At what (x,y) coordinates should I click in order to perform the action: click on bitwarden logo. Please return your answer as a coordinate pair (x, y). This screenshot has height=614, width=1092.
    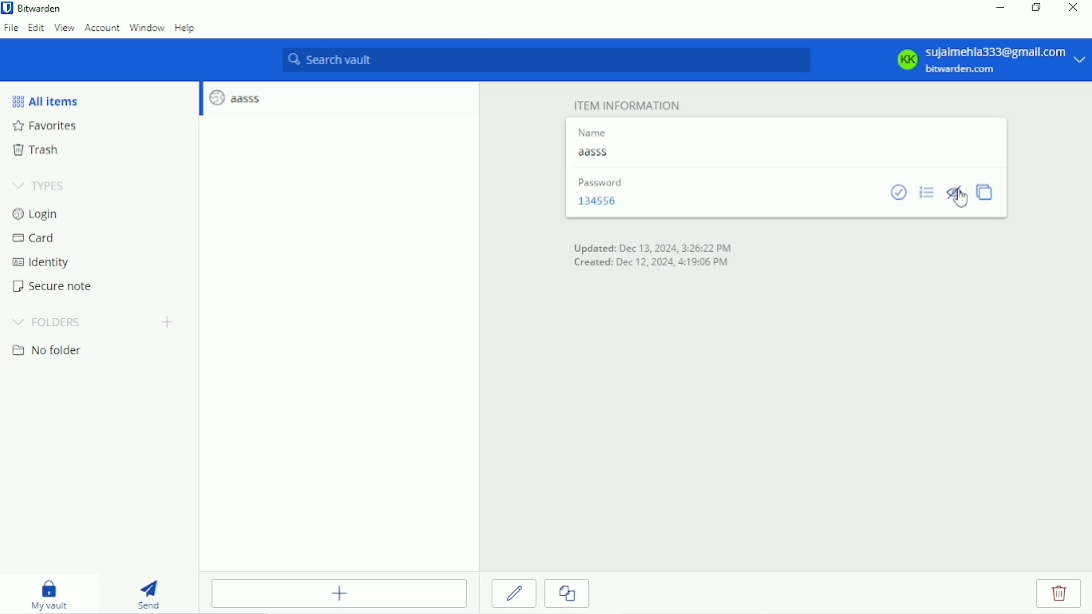
    Looking at the image, I should click on (9, 10).